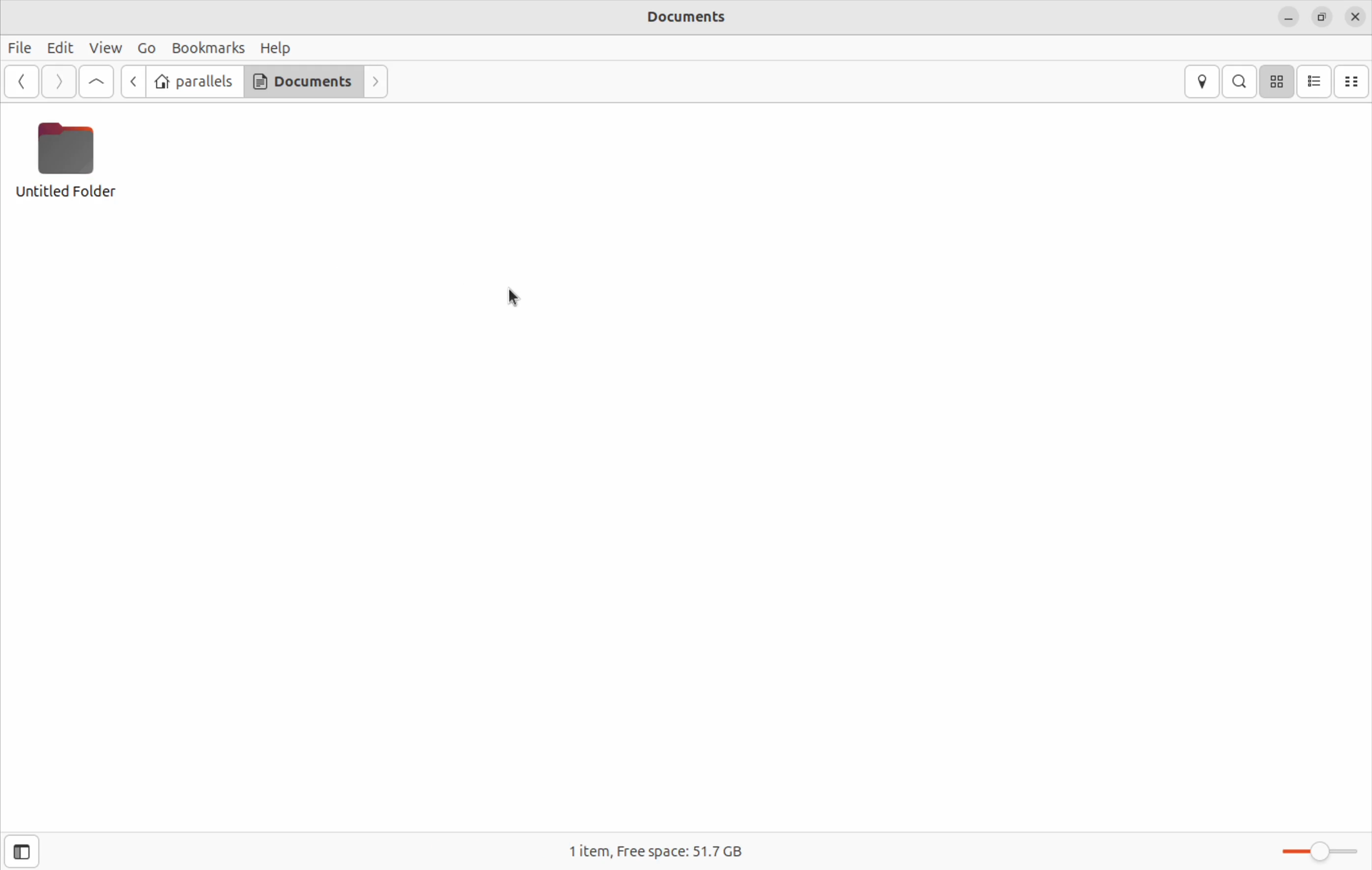 The width and height of the screenshot is (1372, 870). What do you see at coordinates (1356, 17) in the screenshot?
I see `close` at bounding box center [1356, 17].